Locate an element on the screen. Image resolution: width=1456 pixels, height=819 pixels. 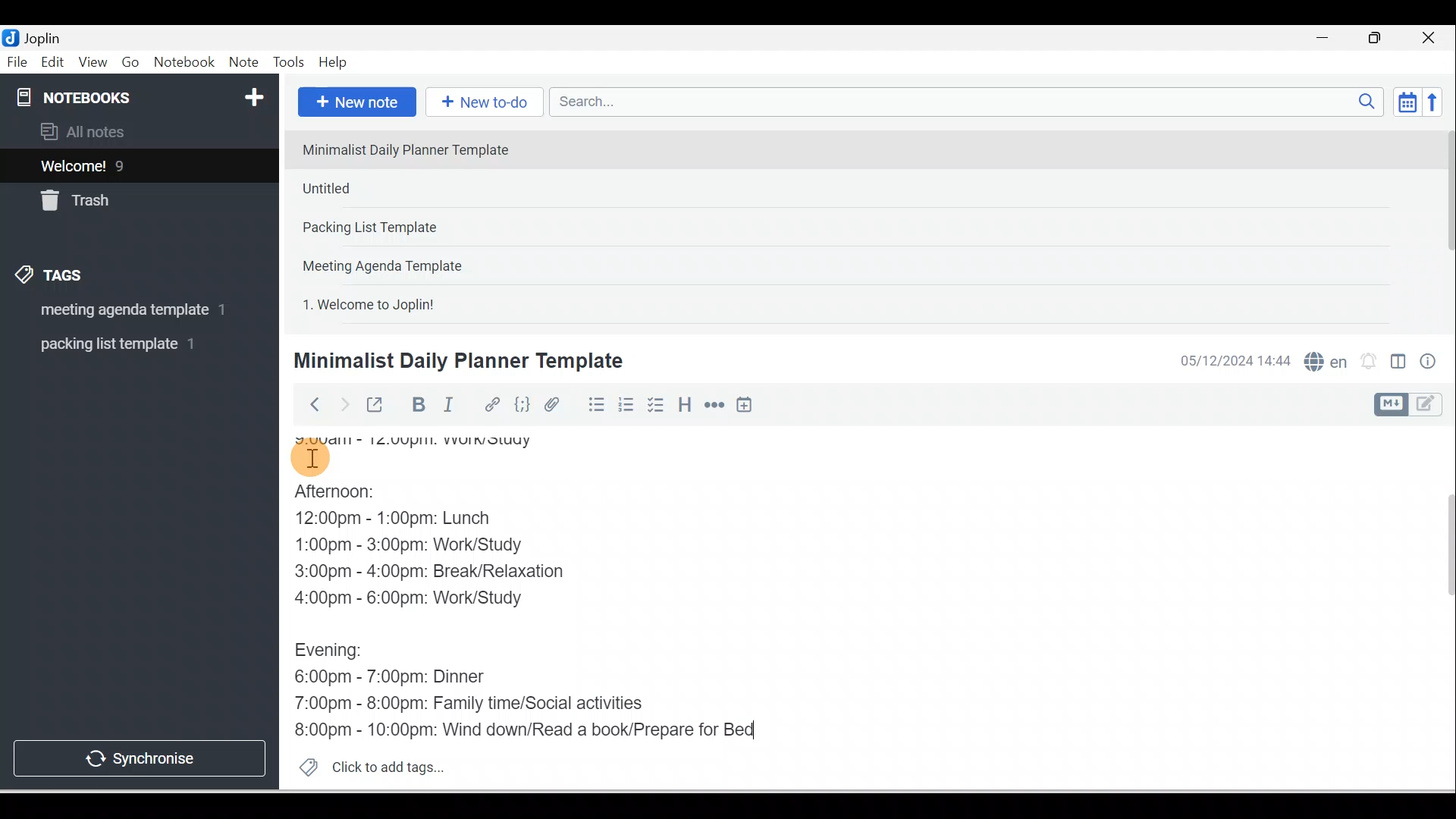
Note is located at coordinates (242, 63).